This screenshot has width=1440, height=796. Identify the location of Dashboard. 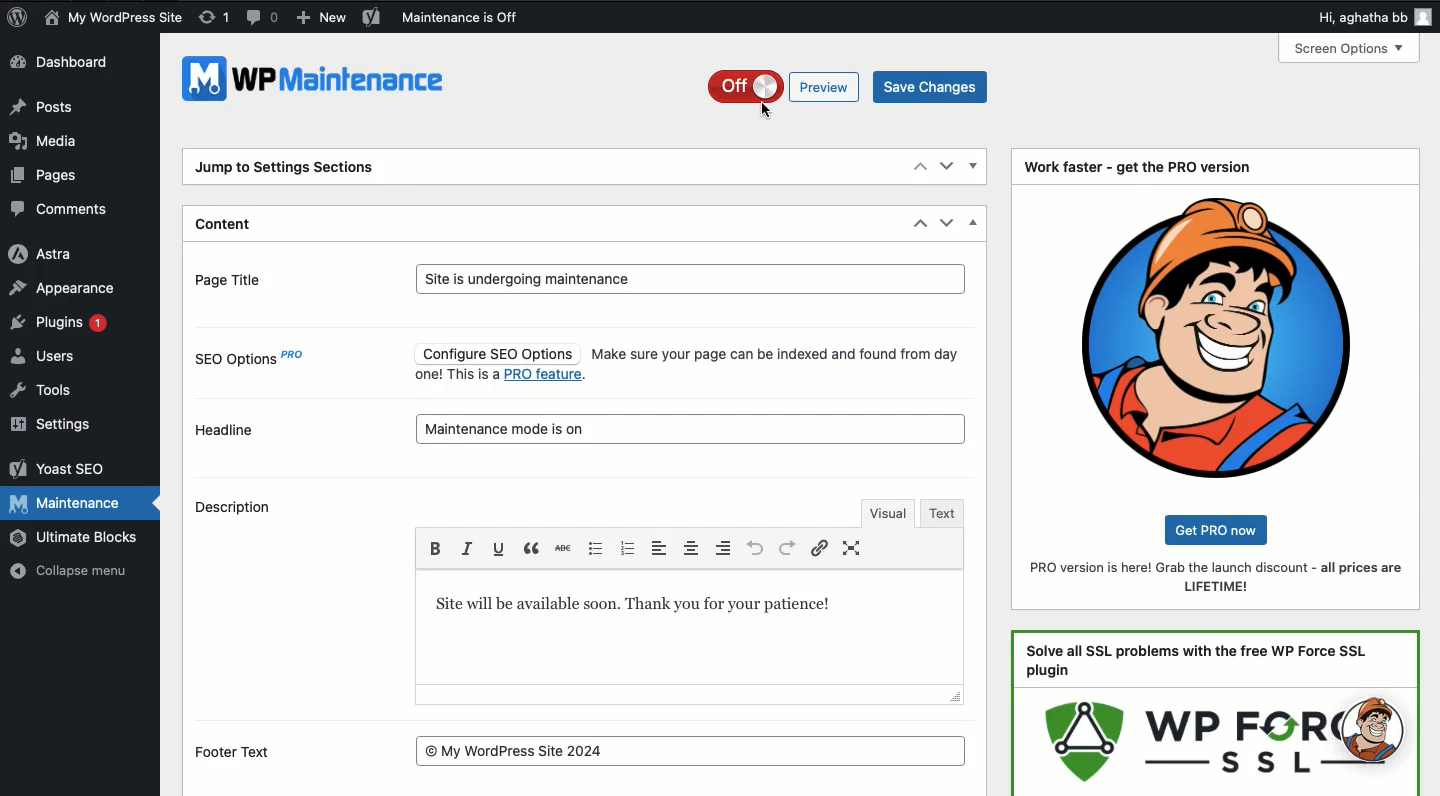
(63, 64).